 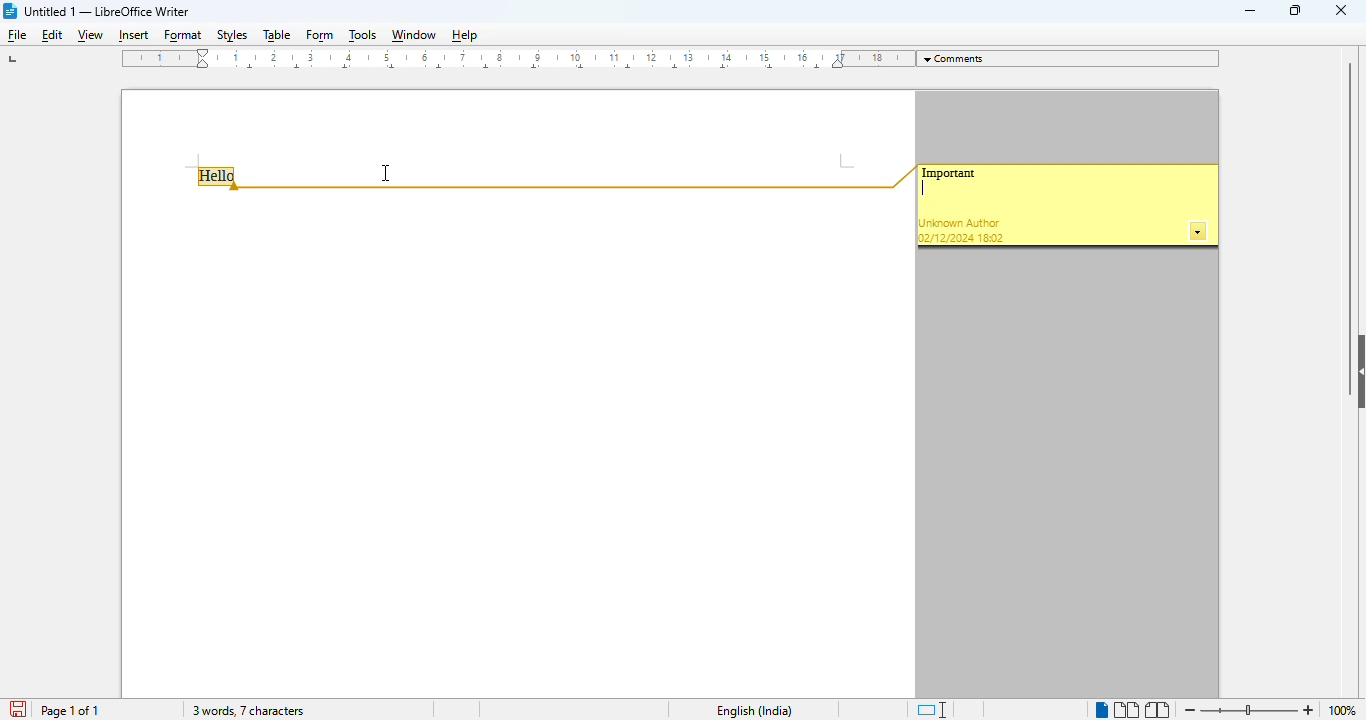 What do you see at coordinates (90, 37) in the screenshot?
I see `view` at bounding box center [90, 37].